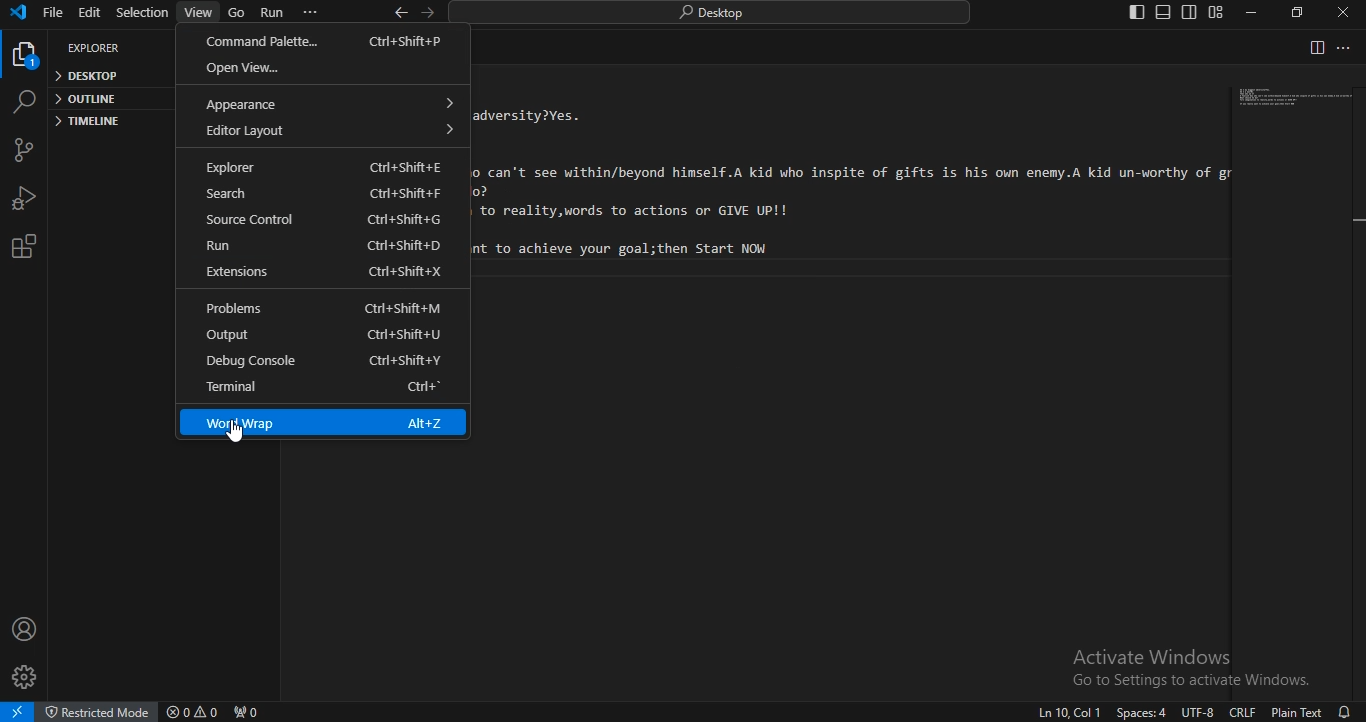  I want to click on search , so click(326, 194).